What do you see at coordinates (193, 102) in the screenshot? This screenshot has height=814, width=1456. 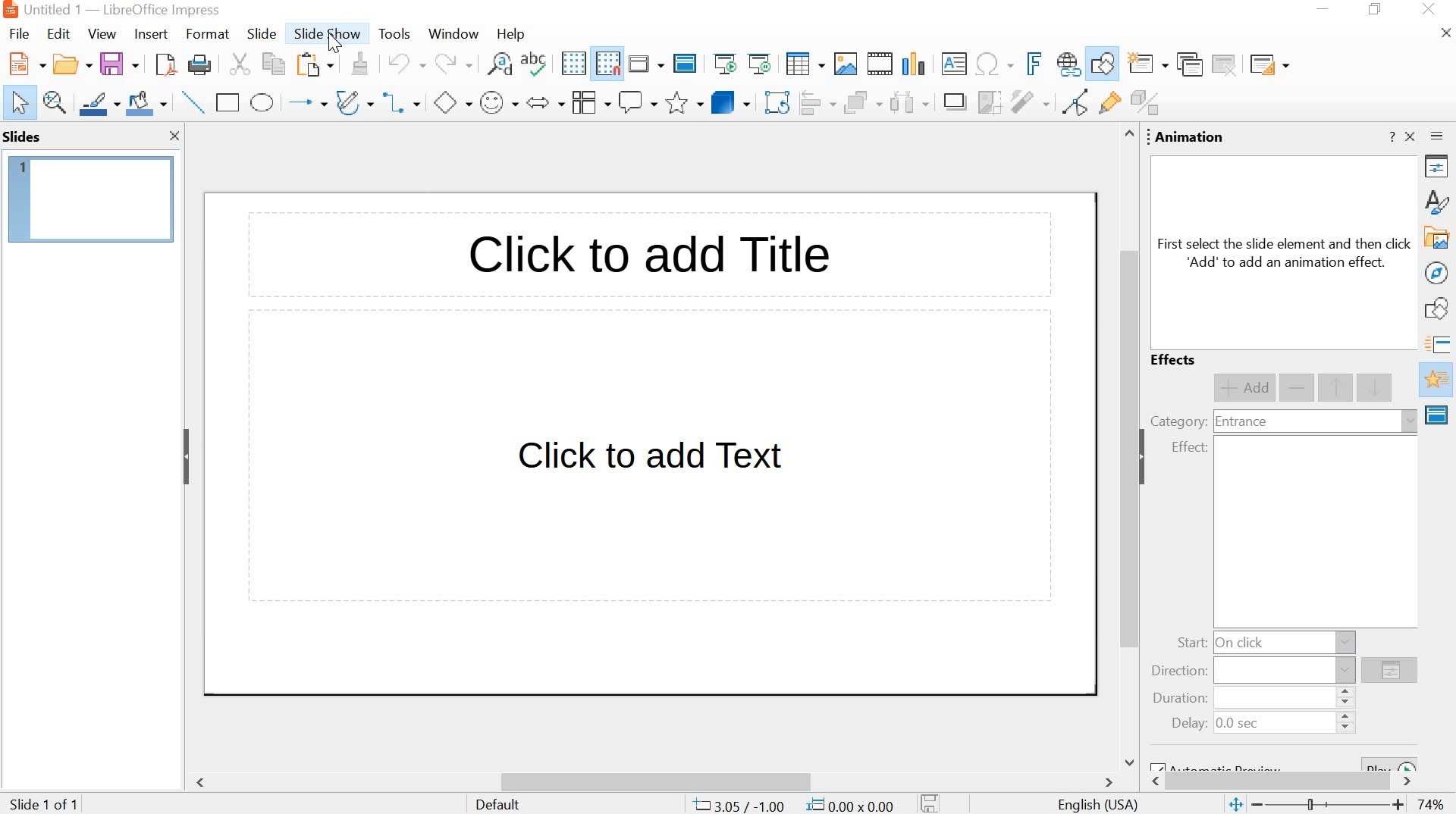 I see `insert line` at bounding box center [193, 102].